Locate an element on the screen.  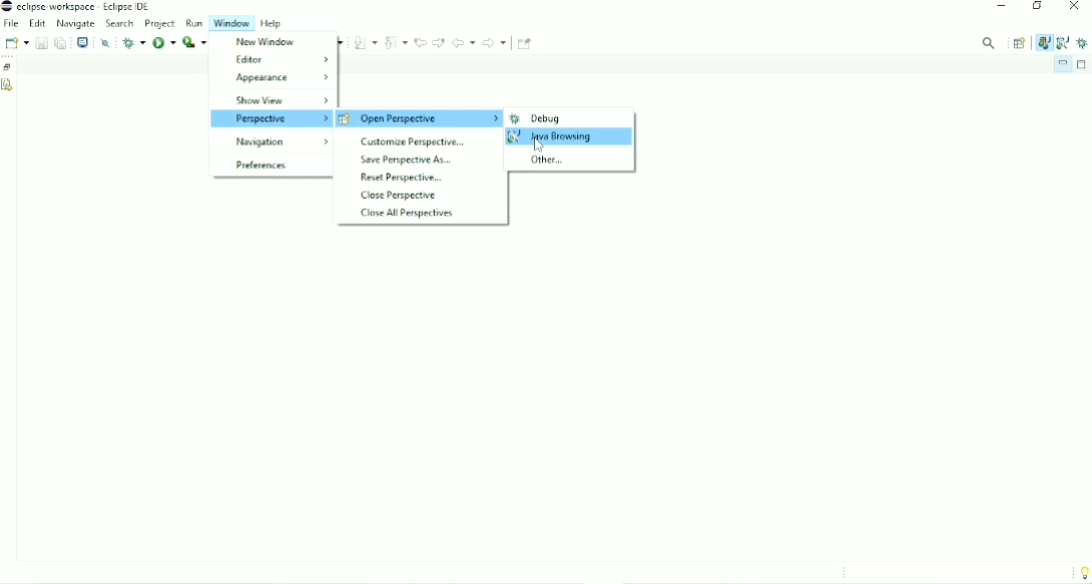
Open Perspective is located at coordinates (1020, 43).